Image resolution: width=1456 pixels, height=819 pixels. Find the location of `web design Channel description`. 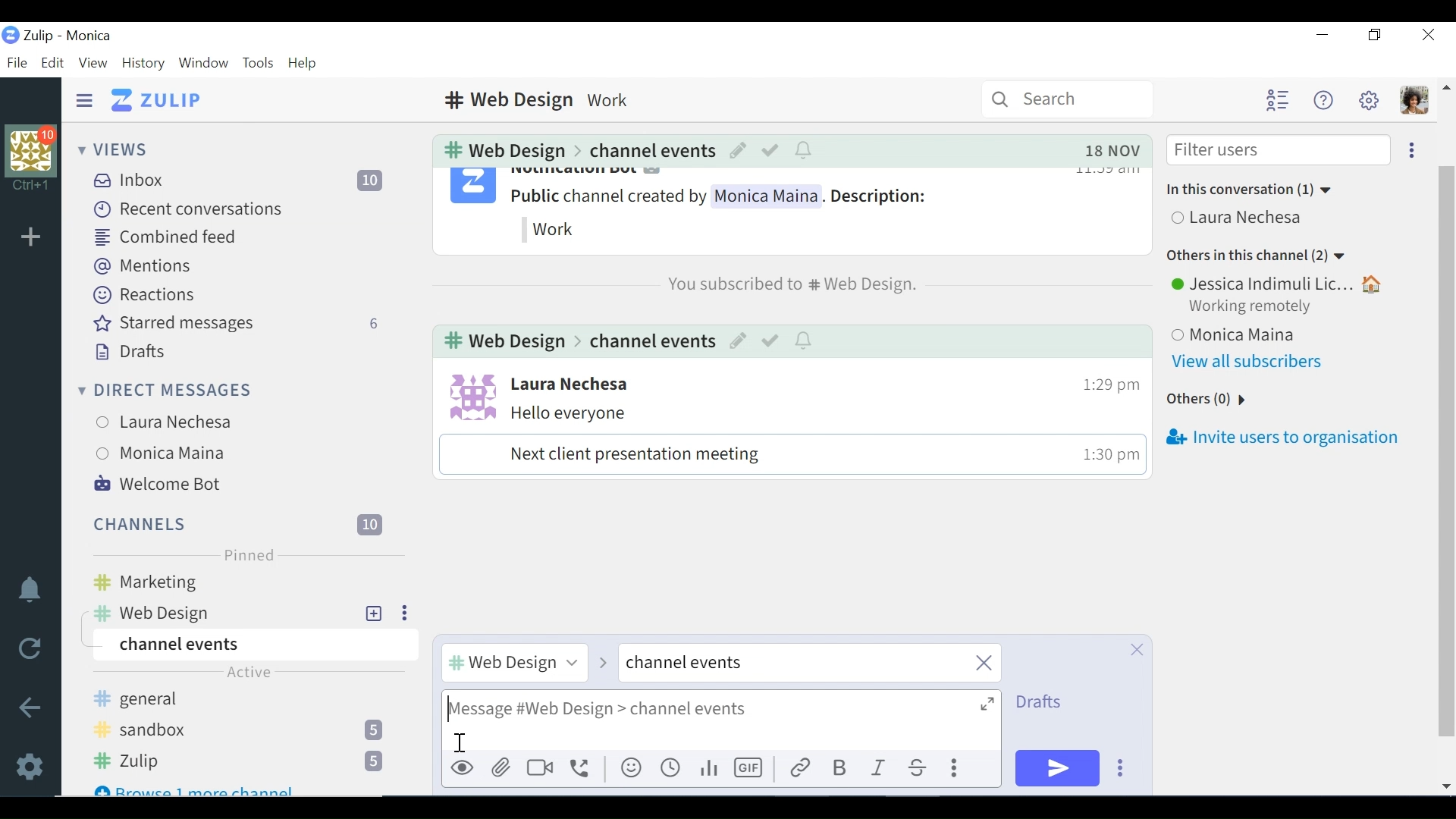

web design Channel description is located at coordinates (542, 99).